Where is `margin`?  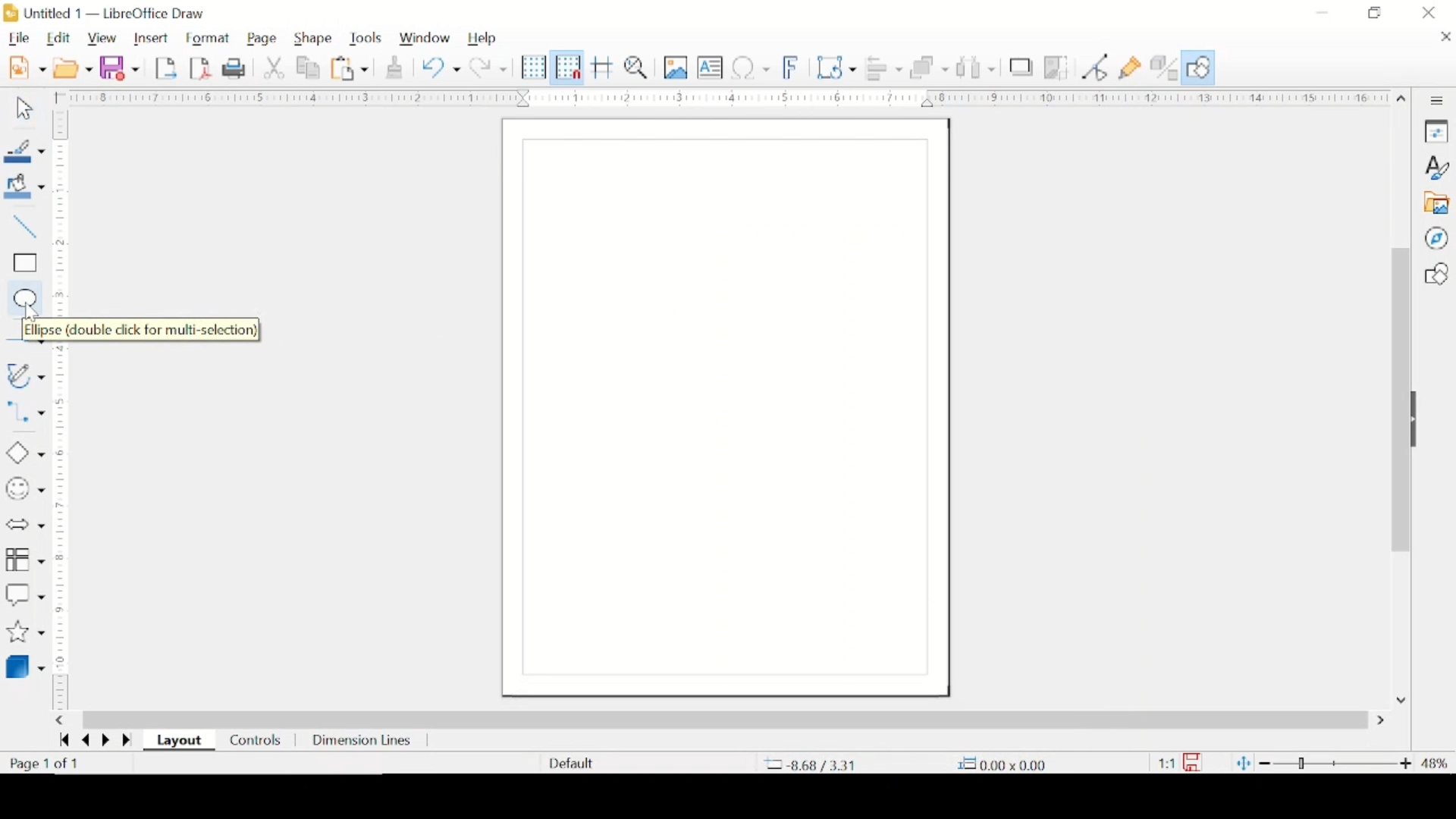
margin is located at coordinates (63, 212).